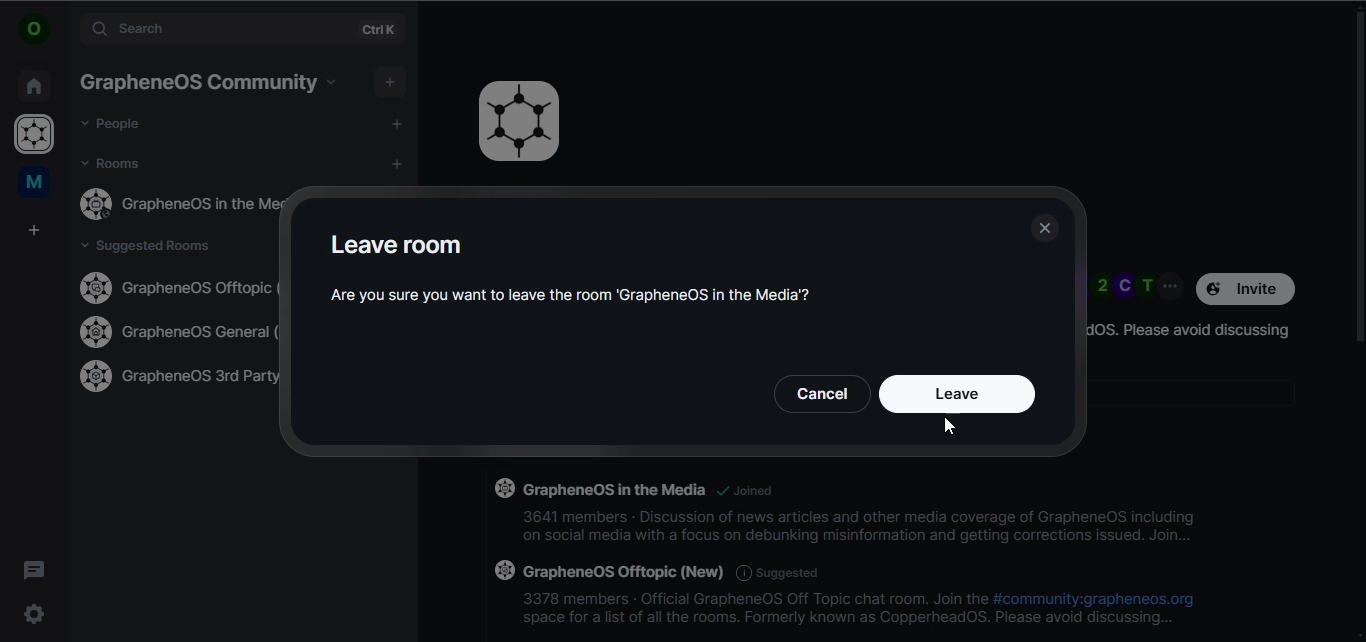 This screenshot has width=1366, height=642. I want to click on explore room, so click(383, 30).